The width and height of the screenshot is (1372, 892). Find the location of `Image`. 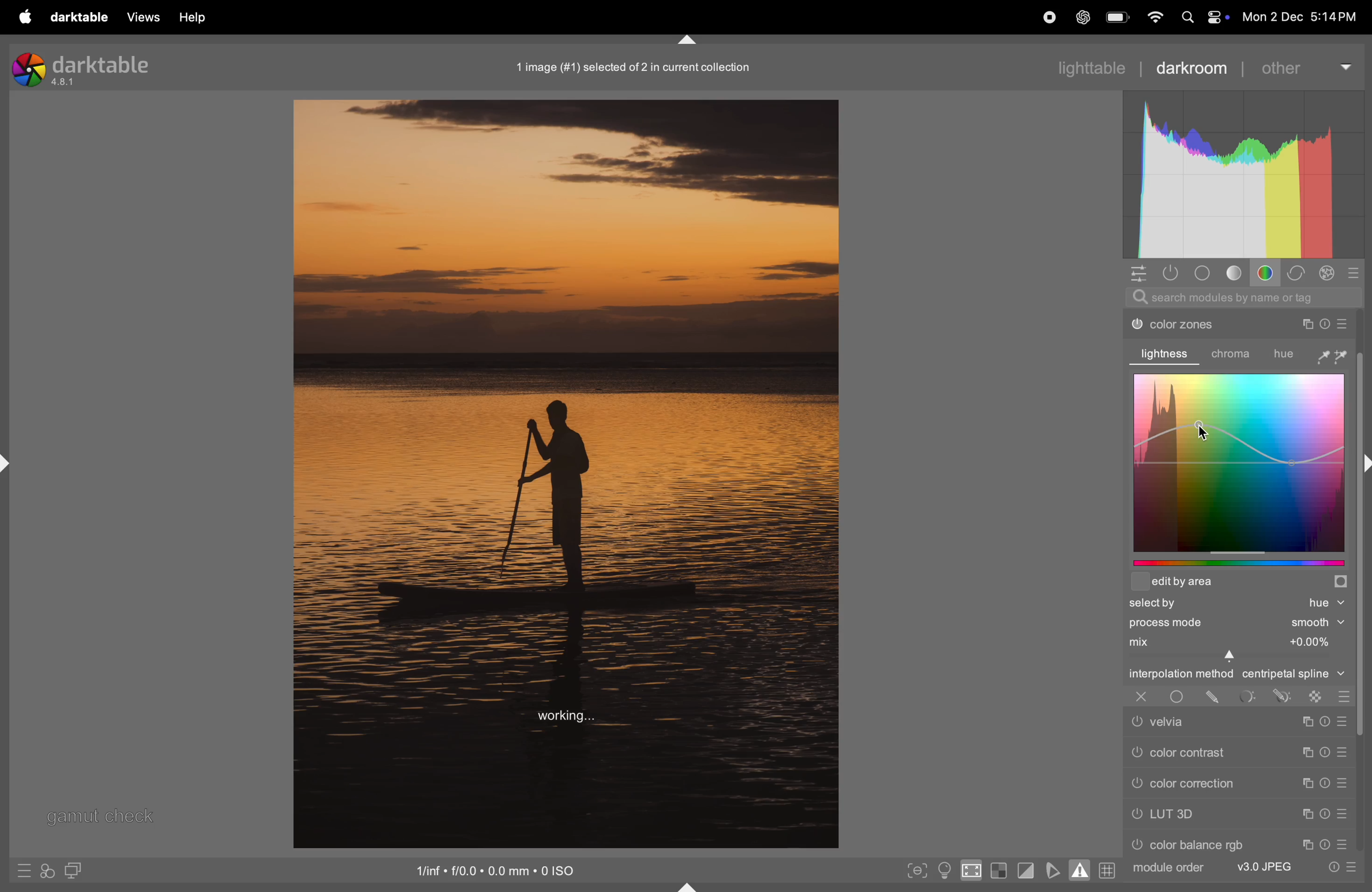

Image is located at coordinates (564, 473).